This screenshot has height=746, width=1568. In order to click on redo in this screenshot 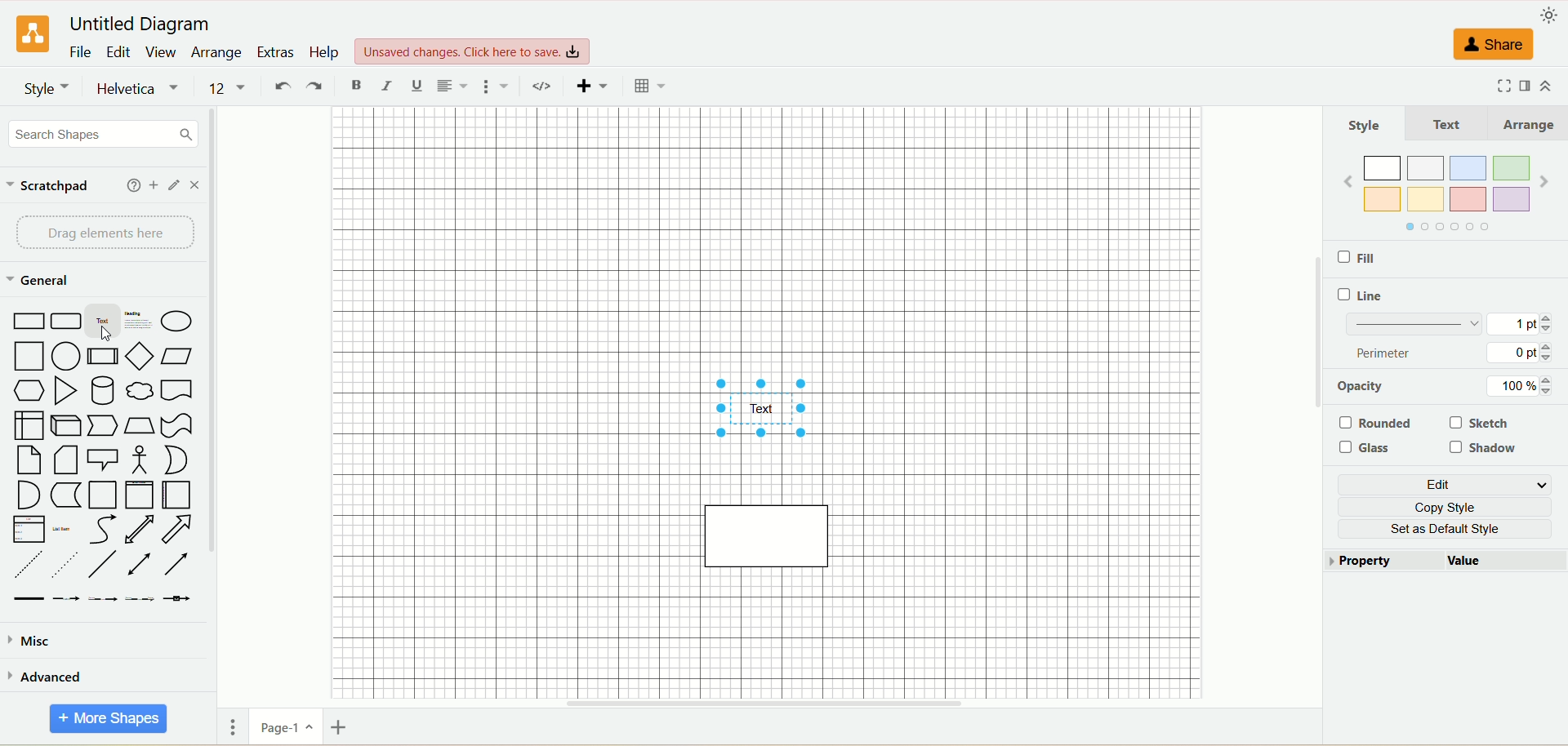, I will do `click(317, 87)`.